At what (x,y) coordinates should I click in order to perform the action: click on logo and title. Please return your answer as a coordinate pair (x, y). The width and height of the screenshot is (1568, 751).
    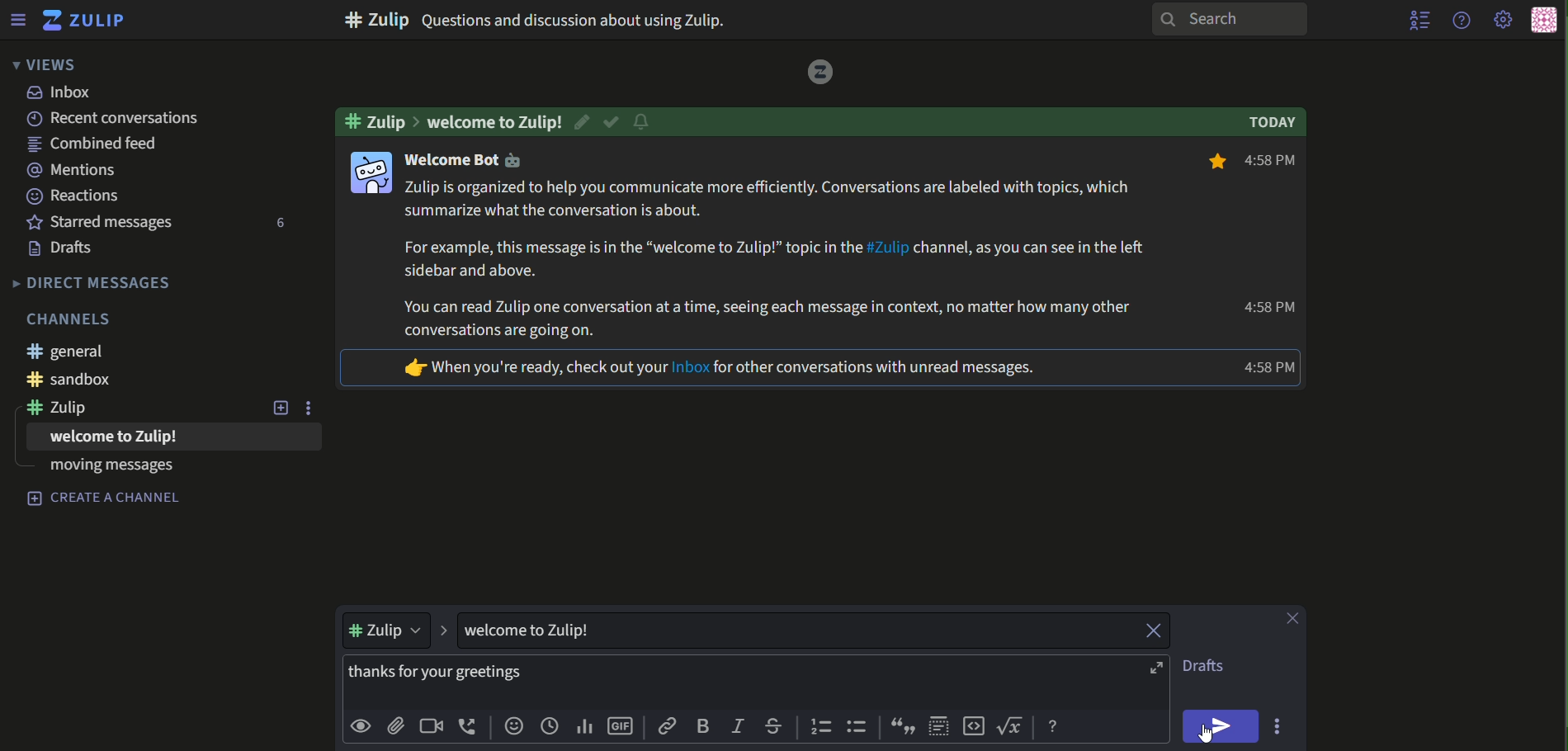
    Looking at the image, I should click on (84, 21).